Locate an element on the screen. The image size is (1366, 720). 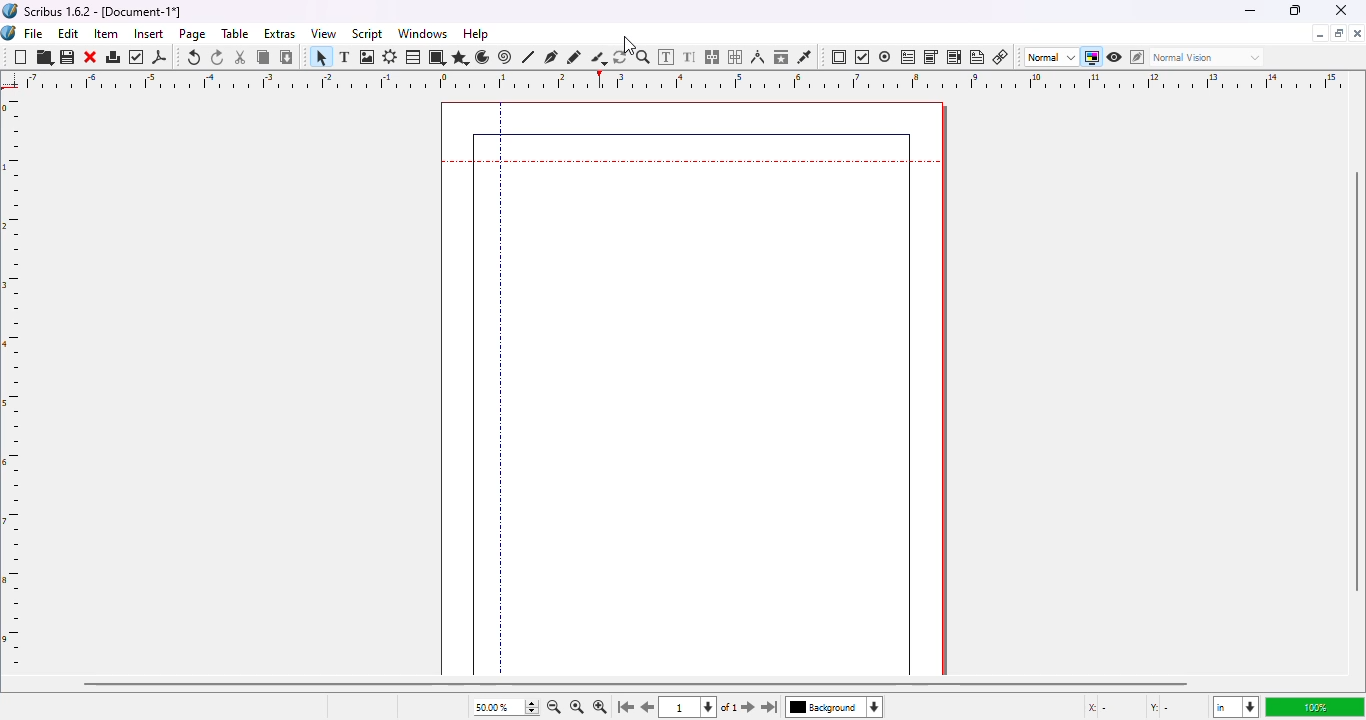
zoom to 100% is located at coordinates (575, 708).